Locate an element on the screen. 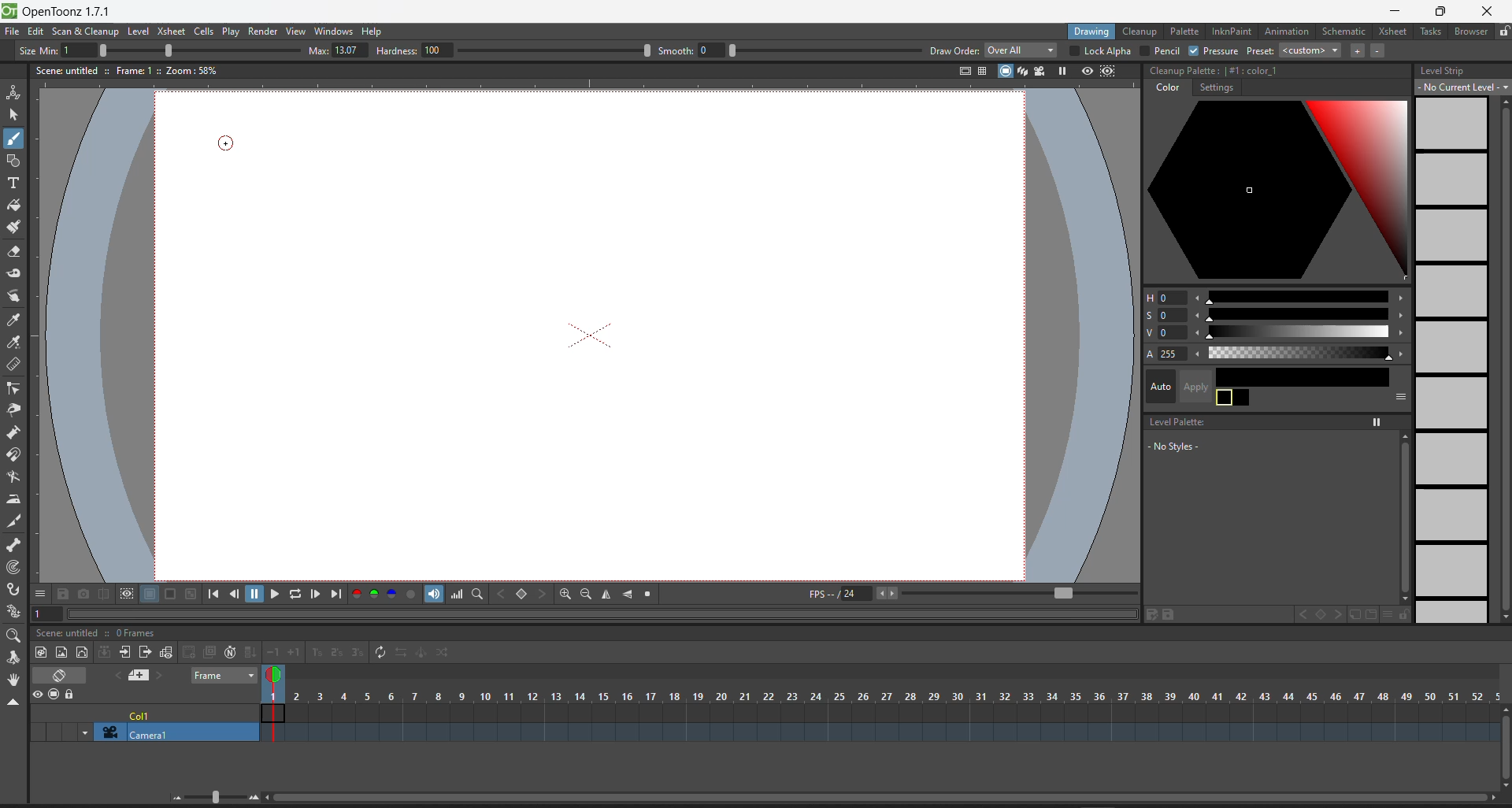 This screenshot has height=808, width=1512. repeat is located at coordinates (379, 651).